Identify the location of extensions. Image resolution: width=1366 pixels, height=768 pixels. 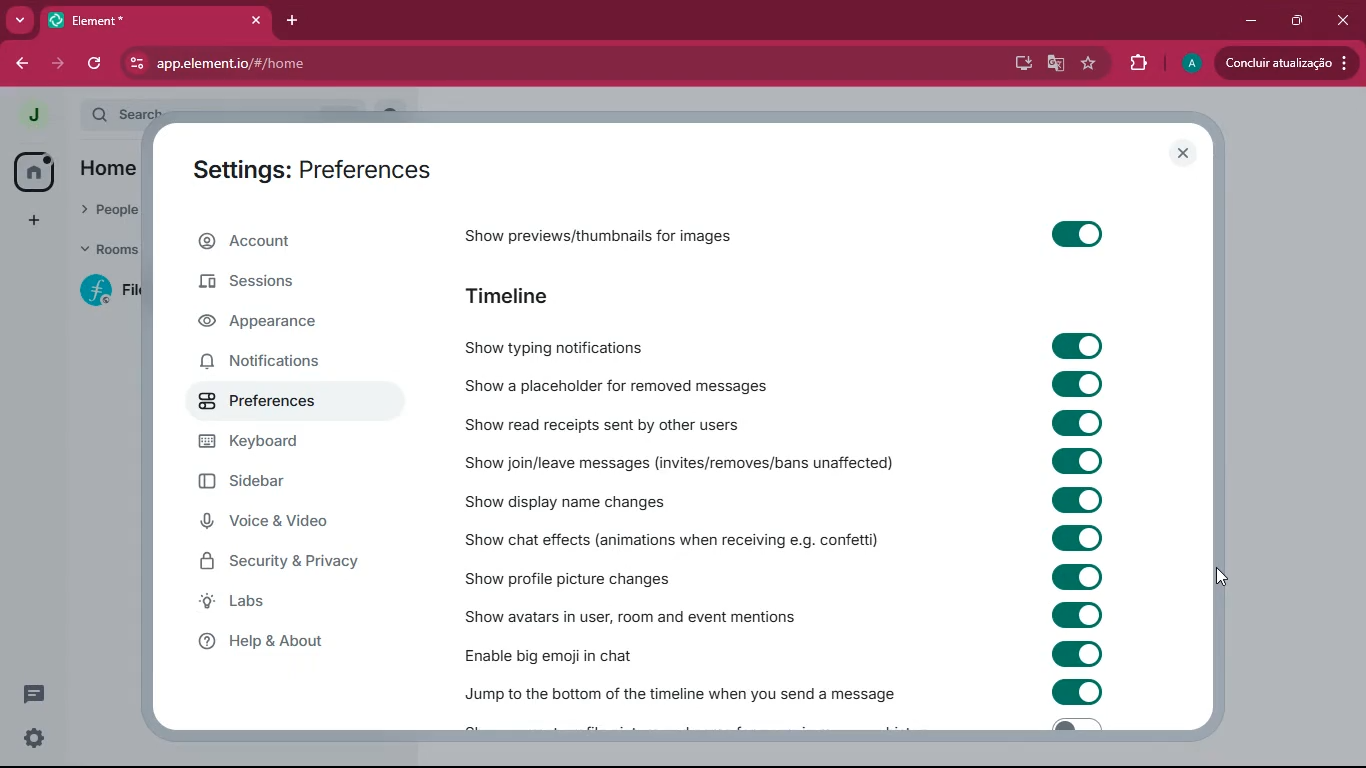
(1137, 61).